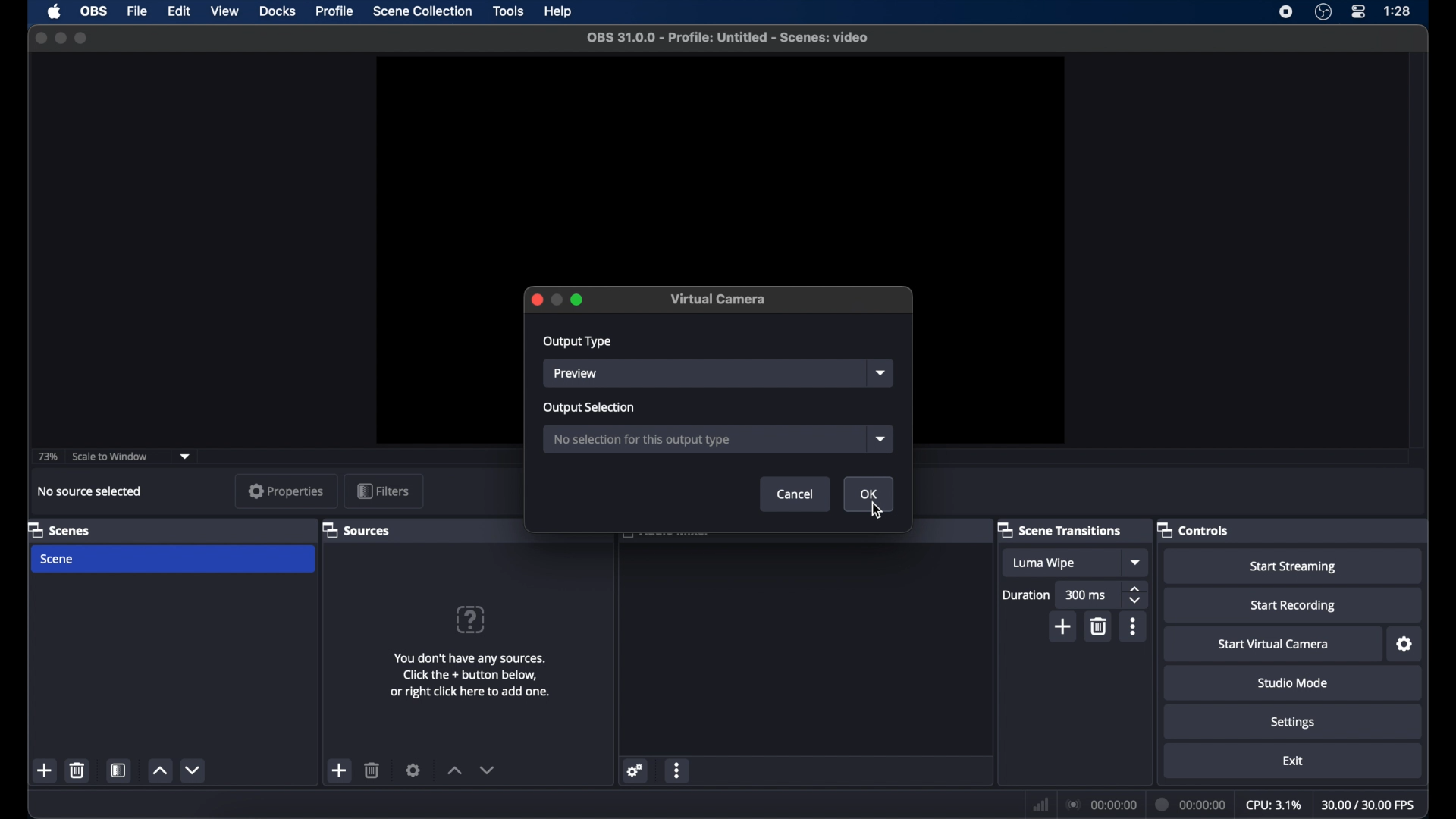 The image size is (1456, 819). What do you see at coordinates (1100, 627) in the screenshot?
I see `delete` at bounding box center [1100, 627].